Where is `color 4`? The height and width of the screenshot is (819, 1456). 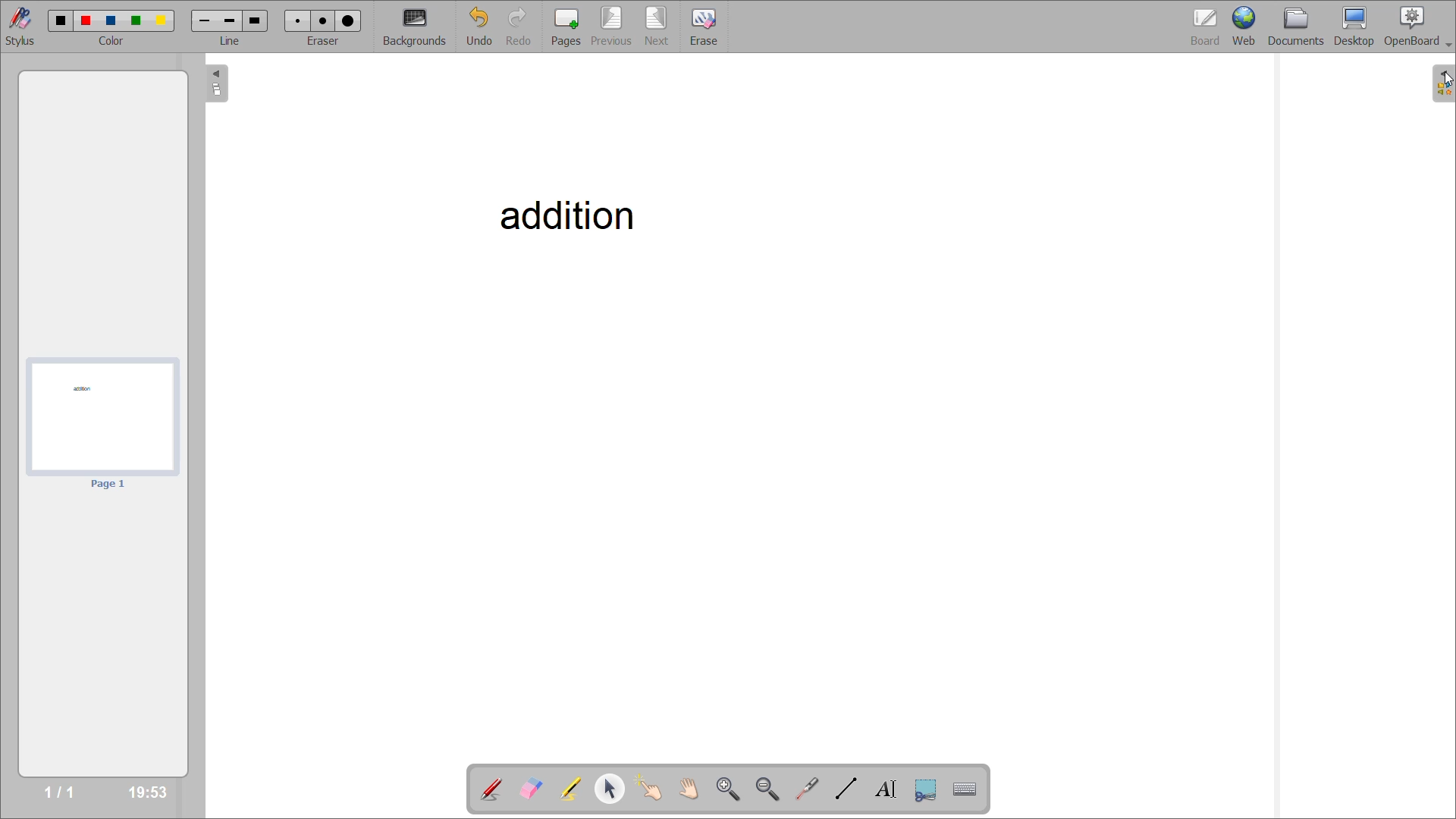 color 4 is located at coordinates (134, 22).